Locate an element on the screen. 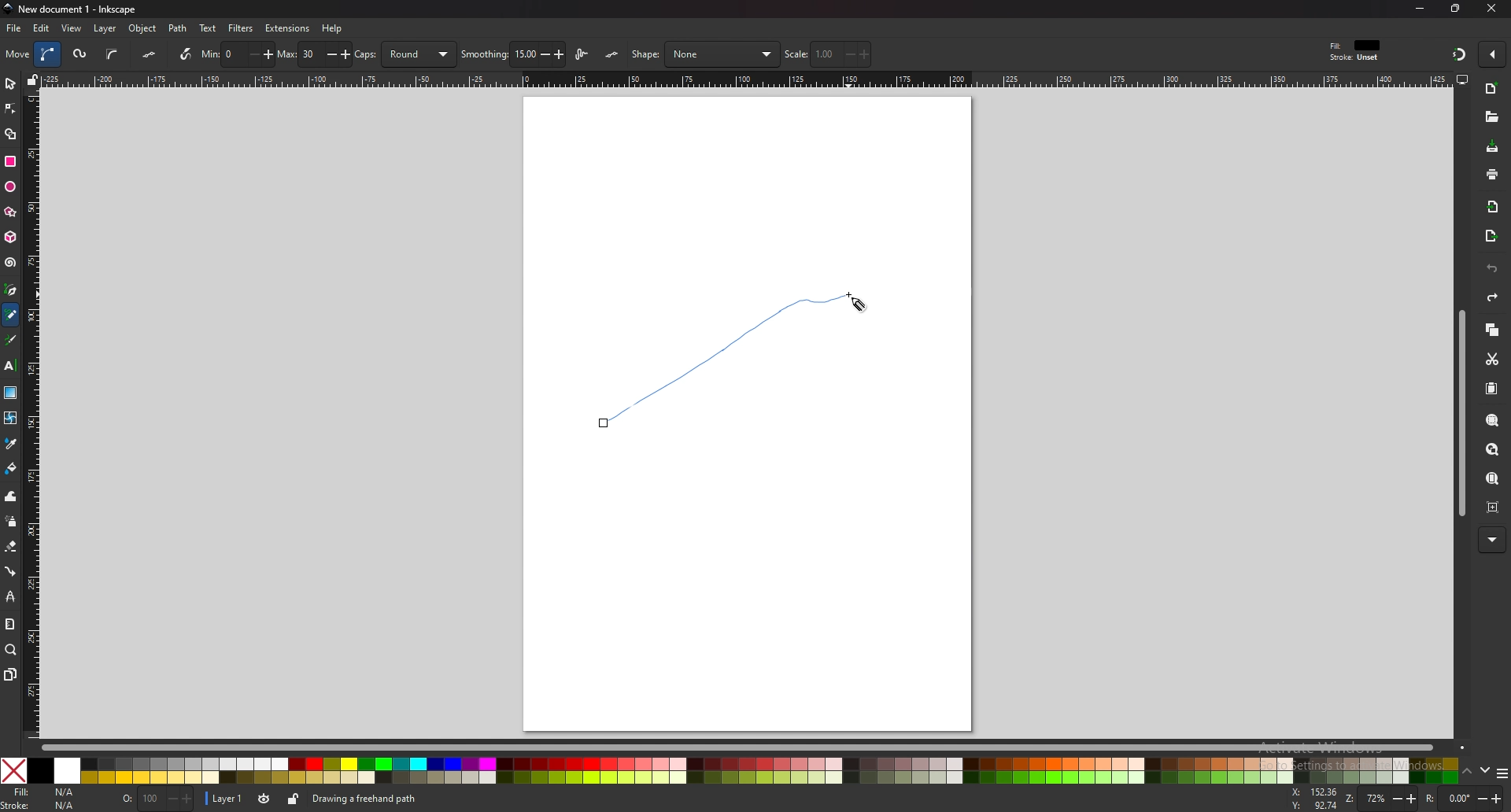  b spline path is located at coordinates (112, 54).